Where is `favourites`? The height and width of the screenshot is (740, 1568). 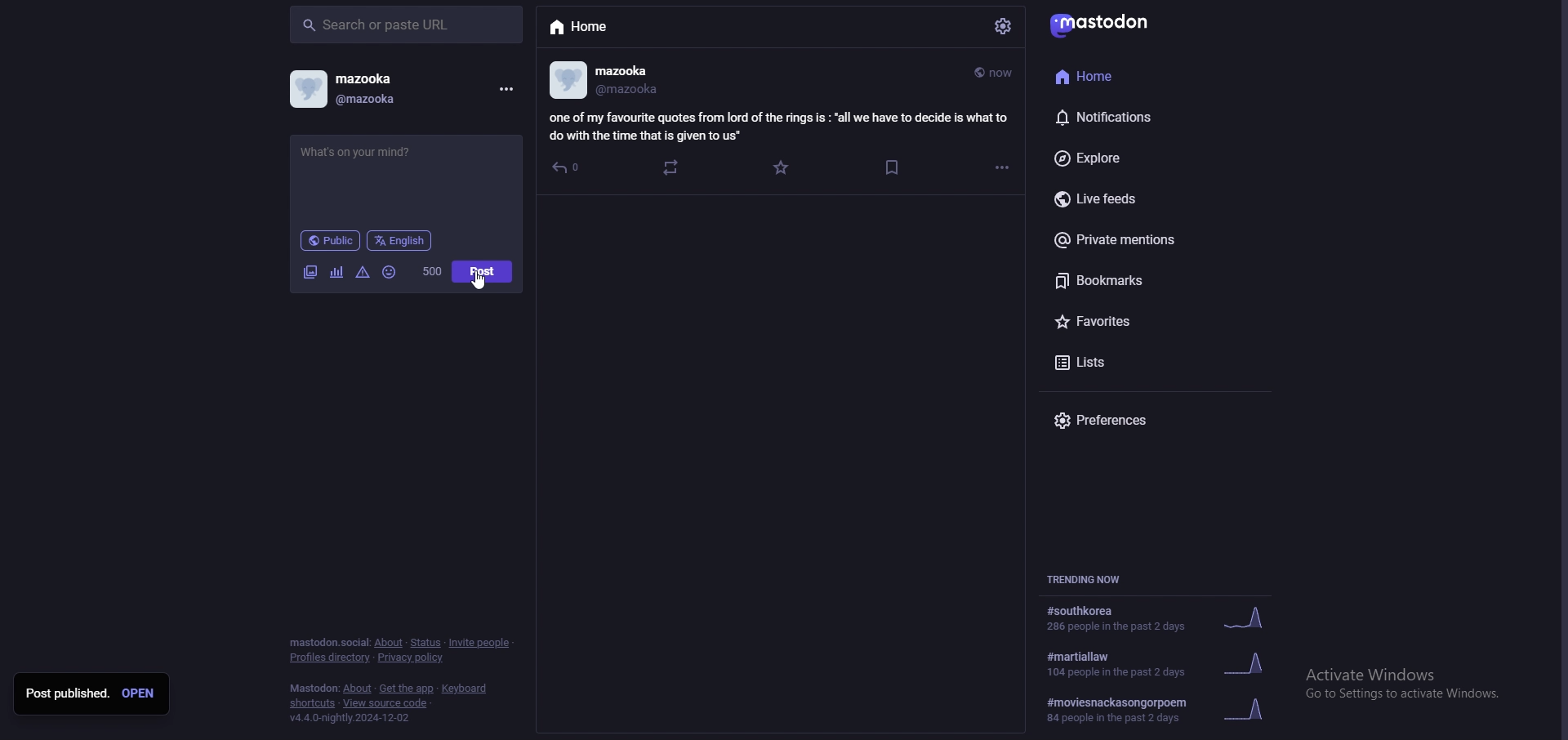
favourites is located at coordinates (1138, 321).